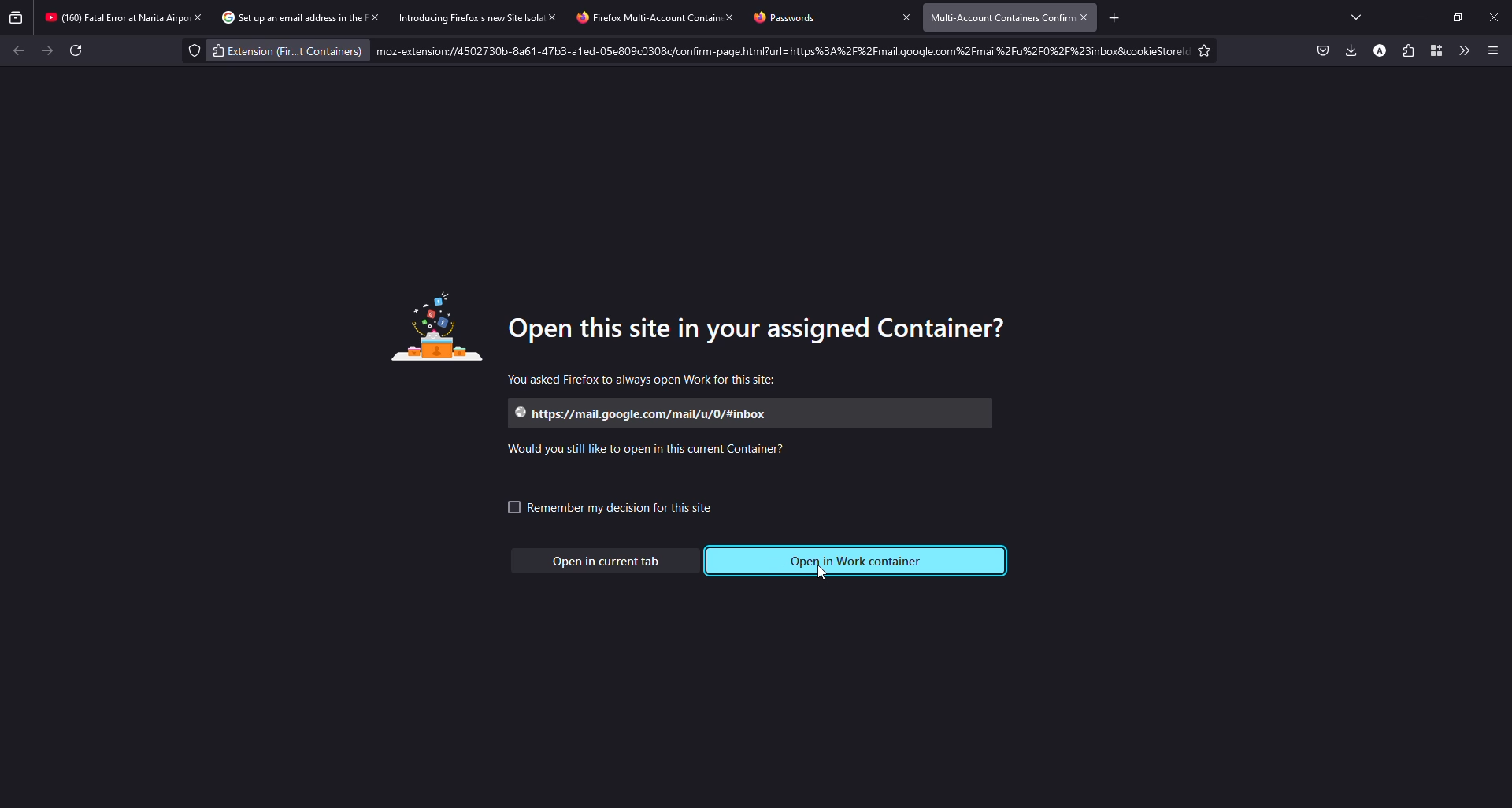 This screenshot has height=808, width=1512. What do you see at coordinates (1378, 50) in the screenshot?
I see `profile` at bounding box center [1378, 50].